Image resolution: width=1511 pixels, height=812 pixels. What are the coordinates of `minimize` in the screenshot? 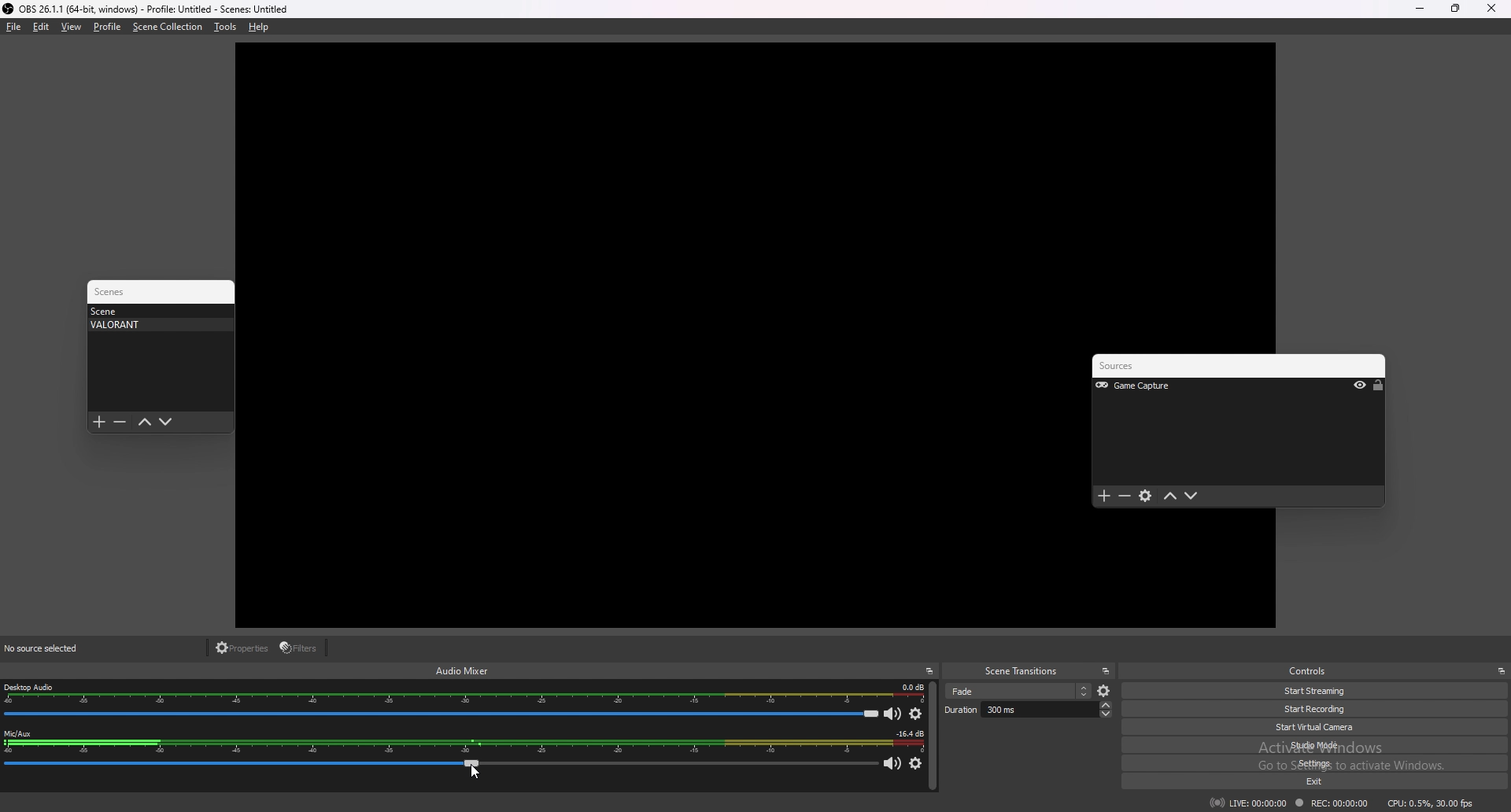 It's located at (1419, 9).